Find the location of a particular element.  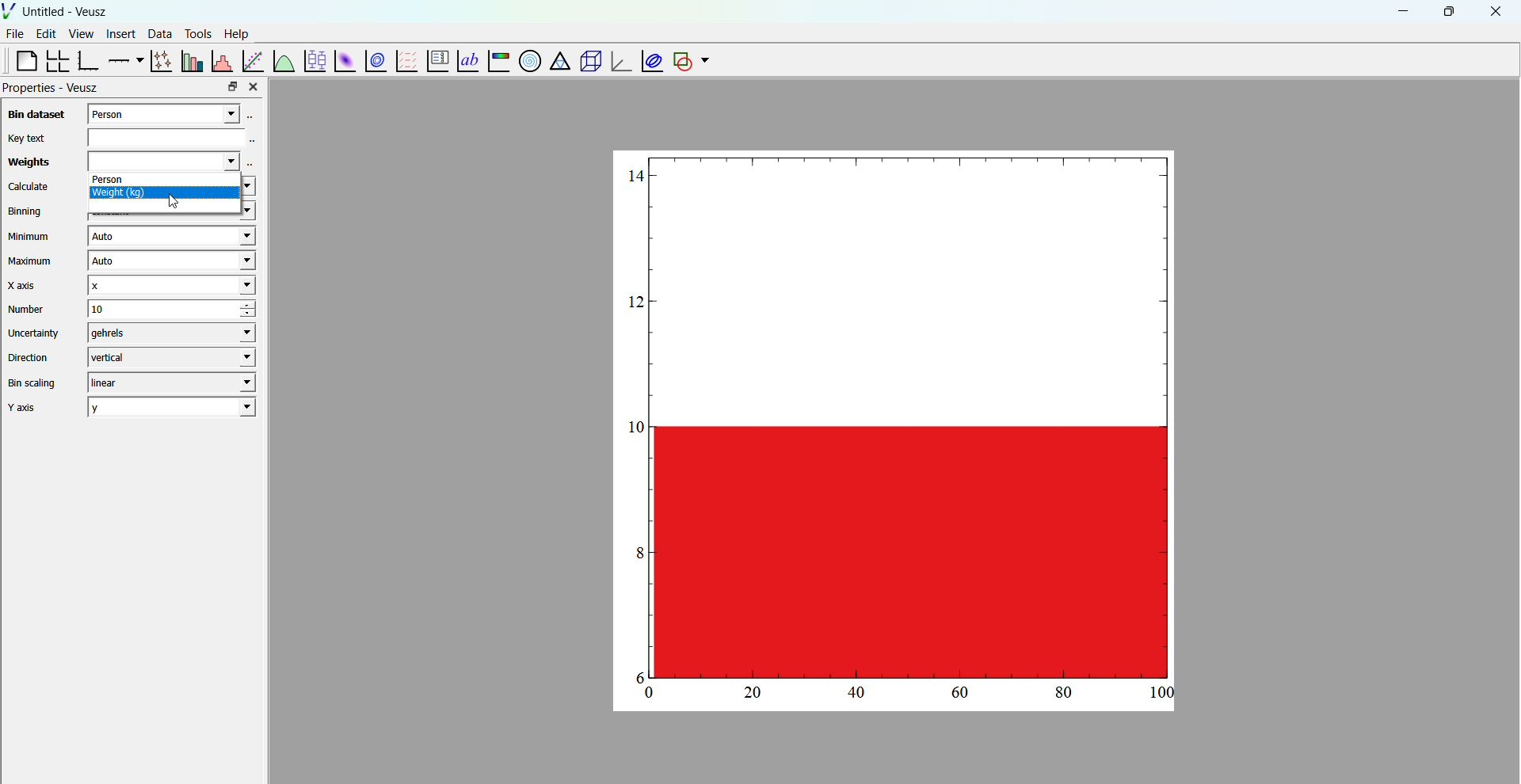

add an axis to a plot is located at coordinates (124, 59).